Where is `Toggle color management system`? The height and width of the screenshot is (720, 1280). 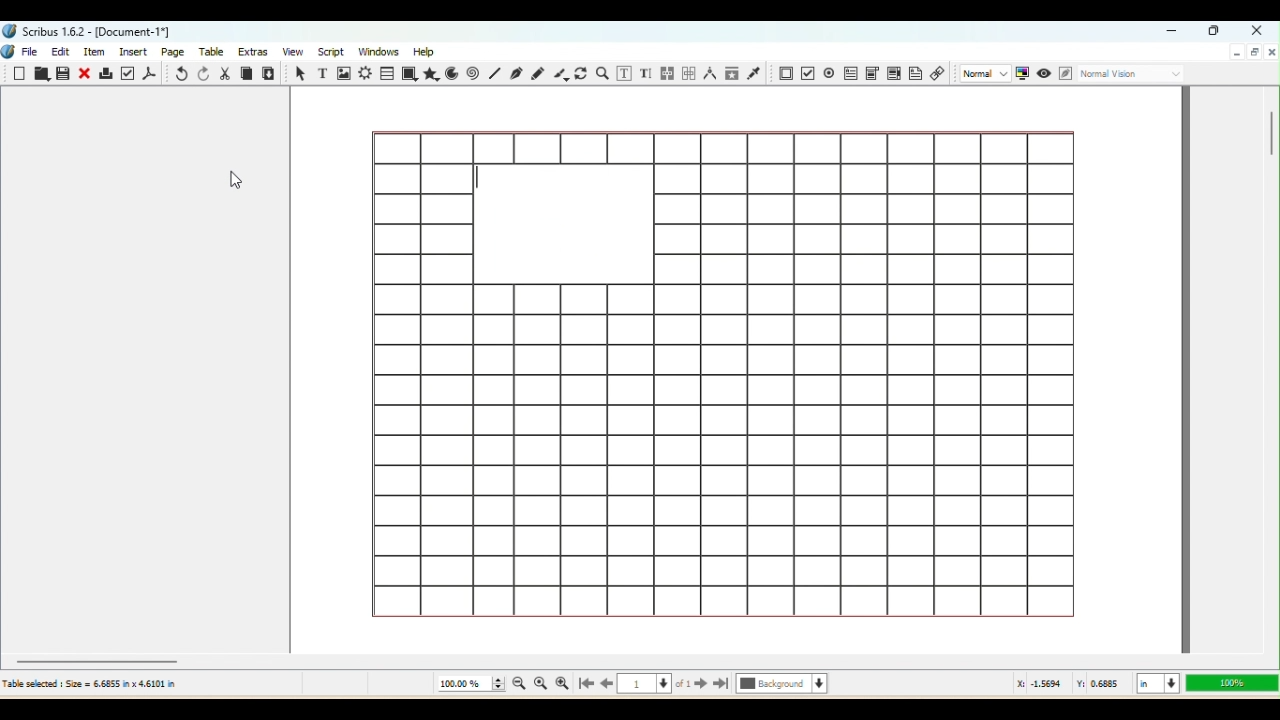
Toggle color management system is located at coordinates (1022, 74).